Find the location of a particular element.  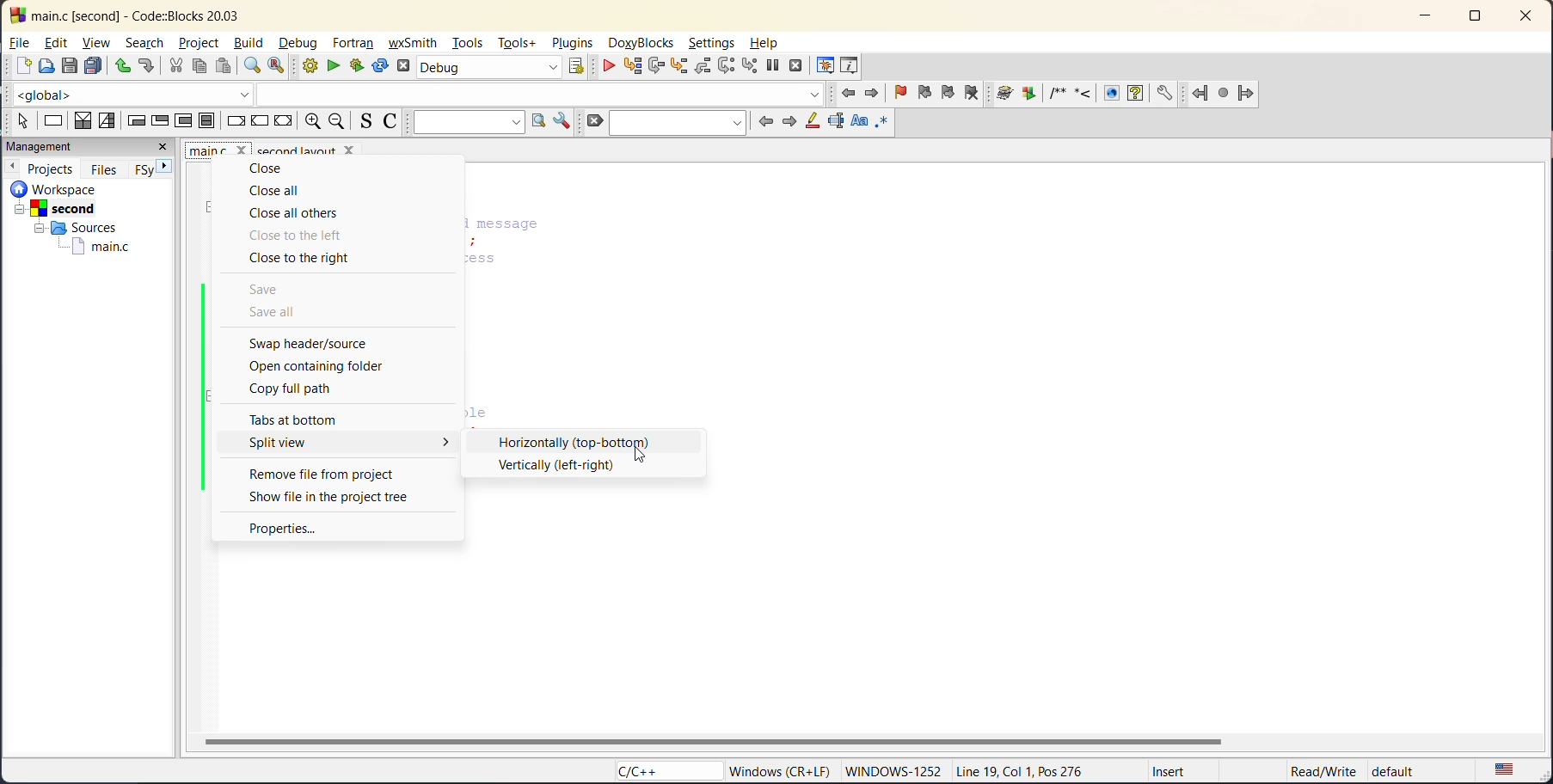

replace is located at coordinates (272, 67).